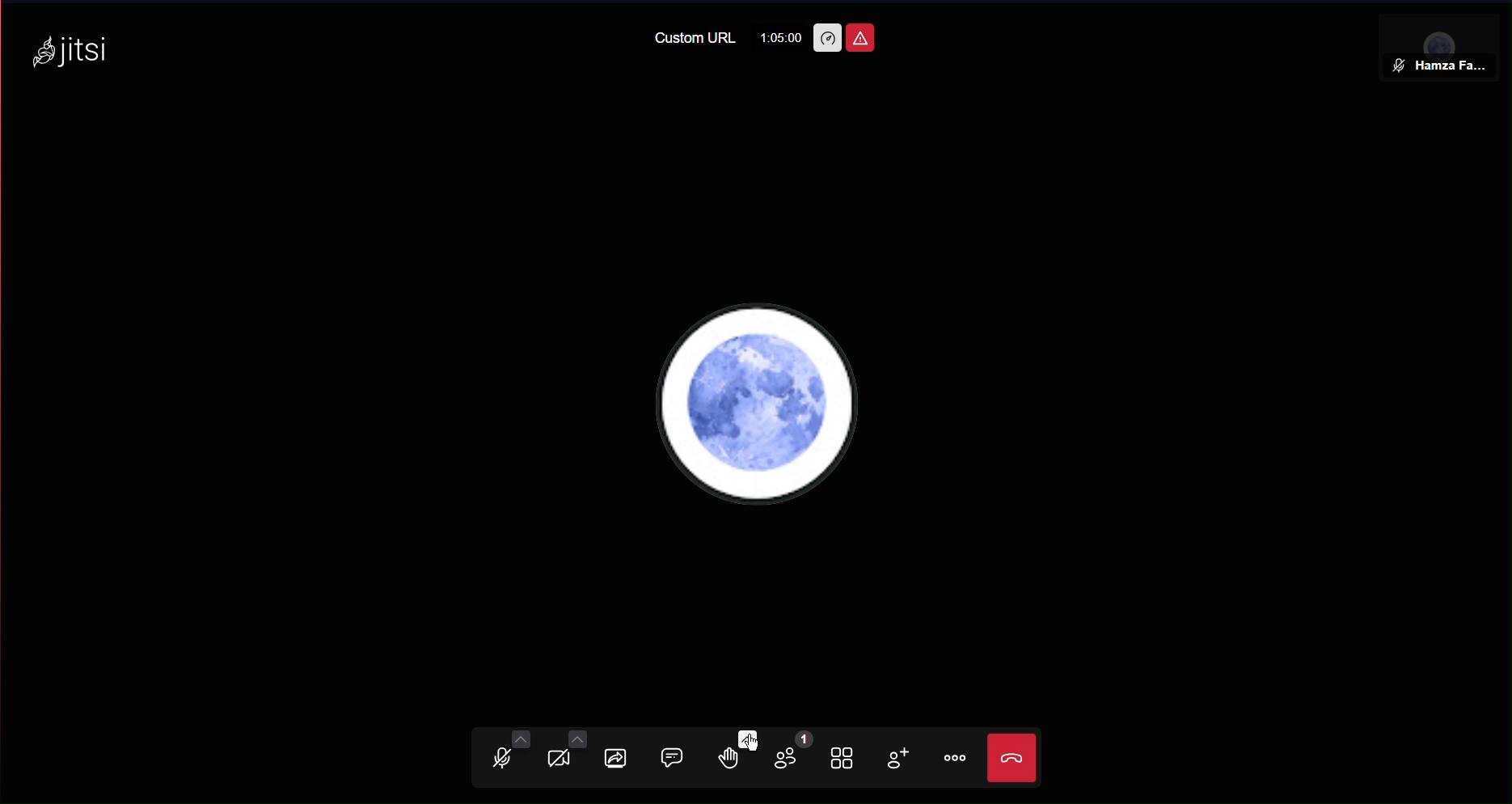 The image size is (1512, 804). What do you see at coordinates (76, 48) in the screenshot?
I see `Jitsi` at bounding box center [76, 48].